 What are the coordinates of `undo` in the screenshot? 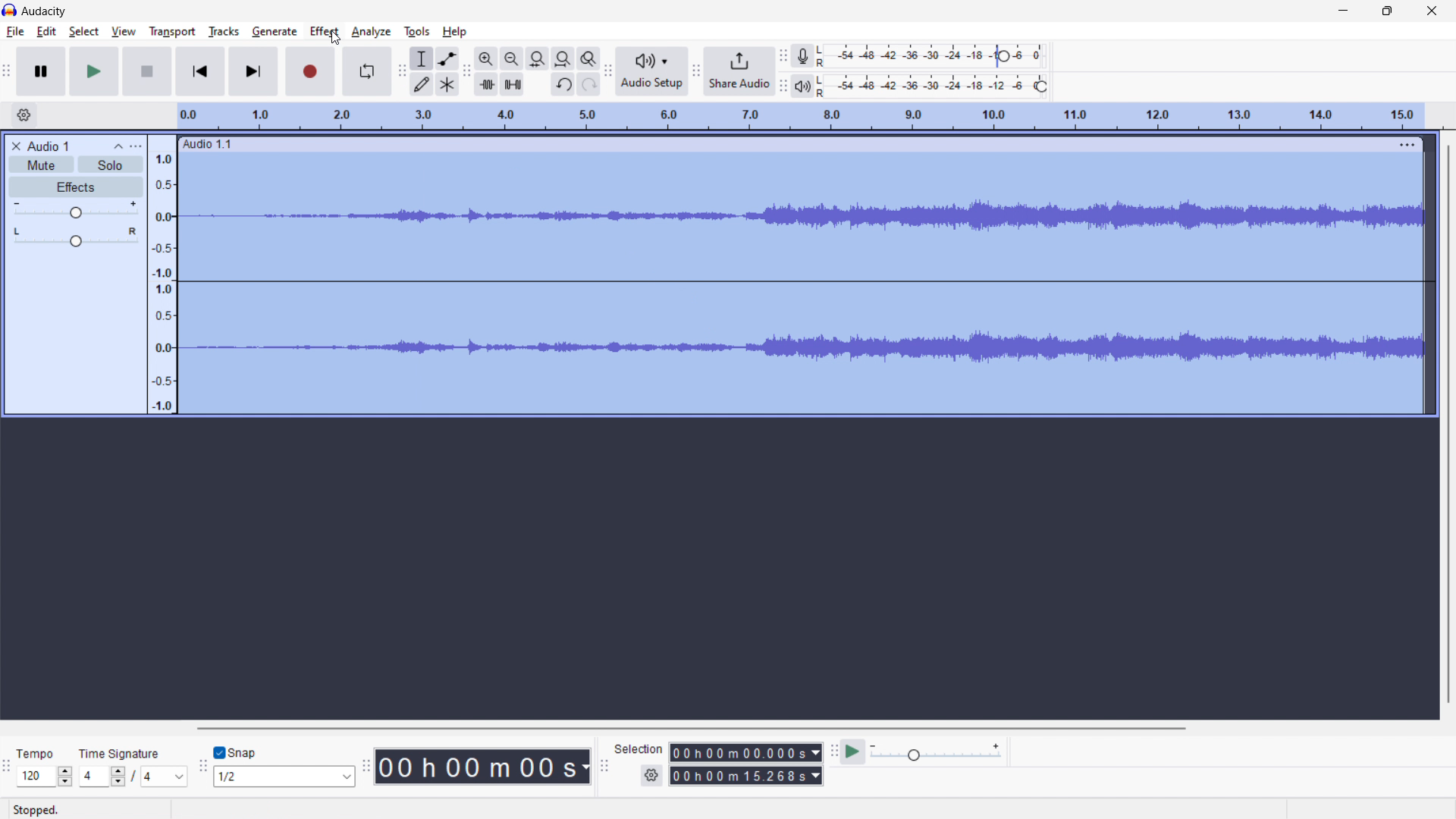 It's located at (563, 84).